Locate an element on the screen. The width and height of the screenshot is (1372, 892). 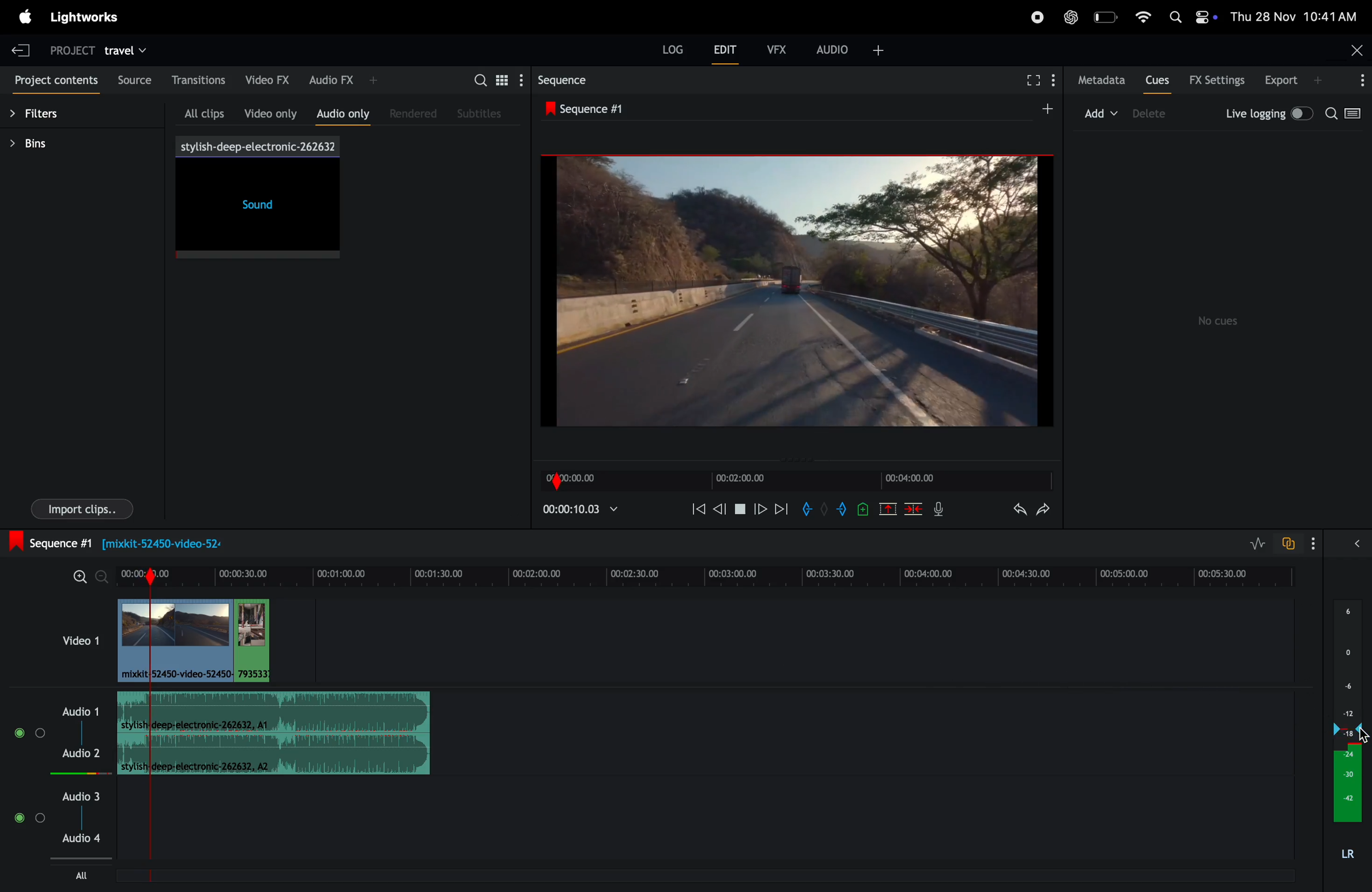
Fx settings is located at coordinates (1218, 79).